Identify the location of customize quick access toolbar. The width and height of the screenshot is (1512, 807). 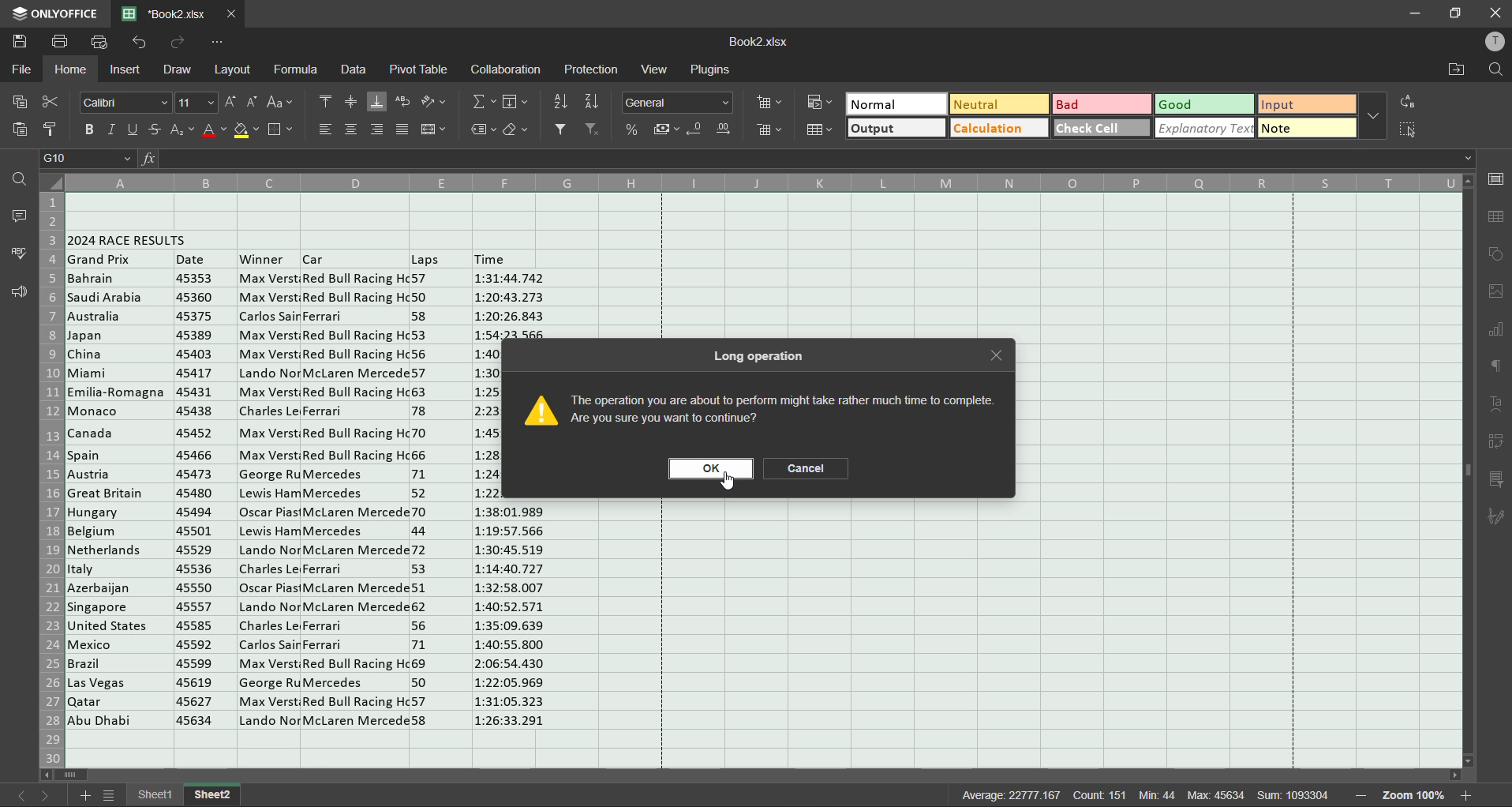
(219, 41).